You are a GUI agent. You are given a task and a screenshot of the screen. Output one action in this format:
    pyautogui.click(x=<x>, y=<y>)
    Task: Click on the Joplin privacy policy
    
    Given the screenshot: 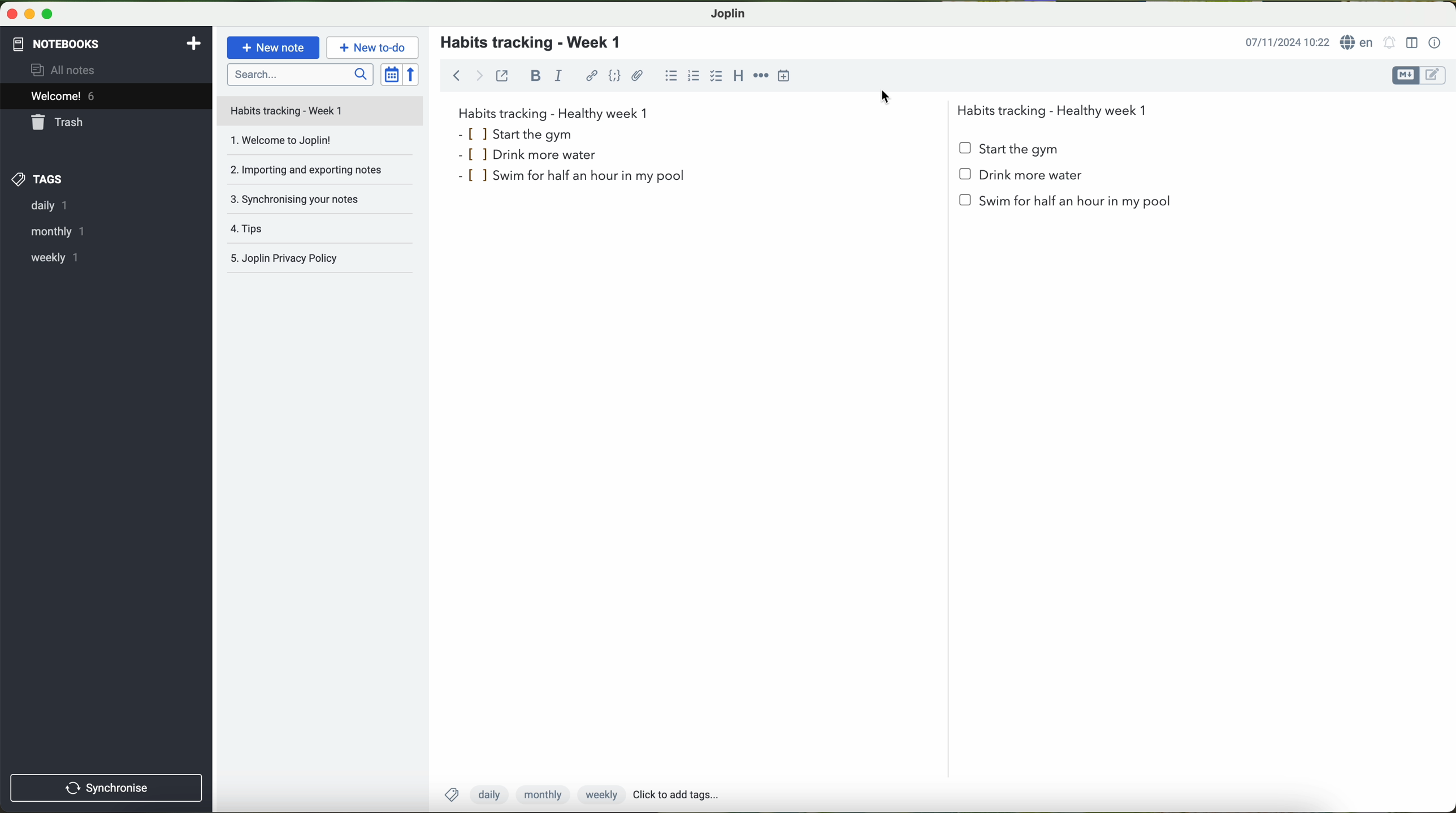 What is the action you would take?
    pyautogui.click(x=321, y=260)
    